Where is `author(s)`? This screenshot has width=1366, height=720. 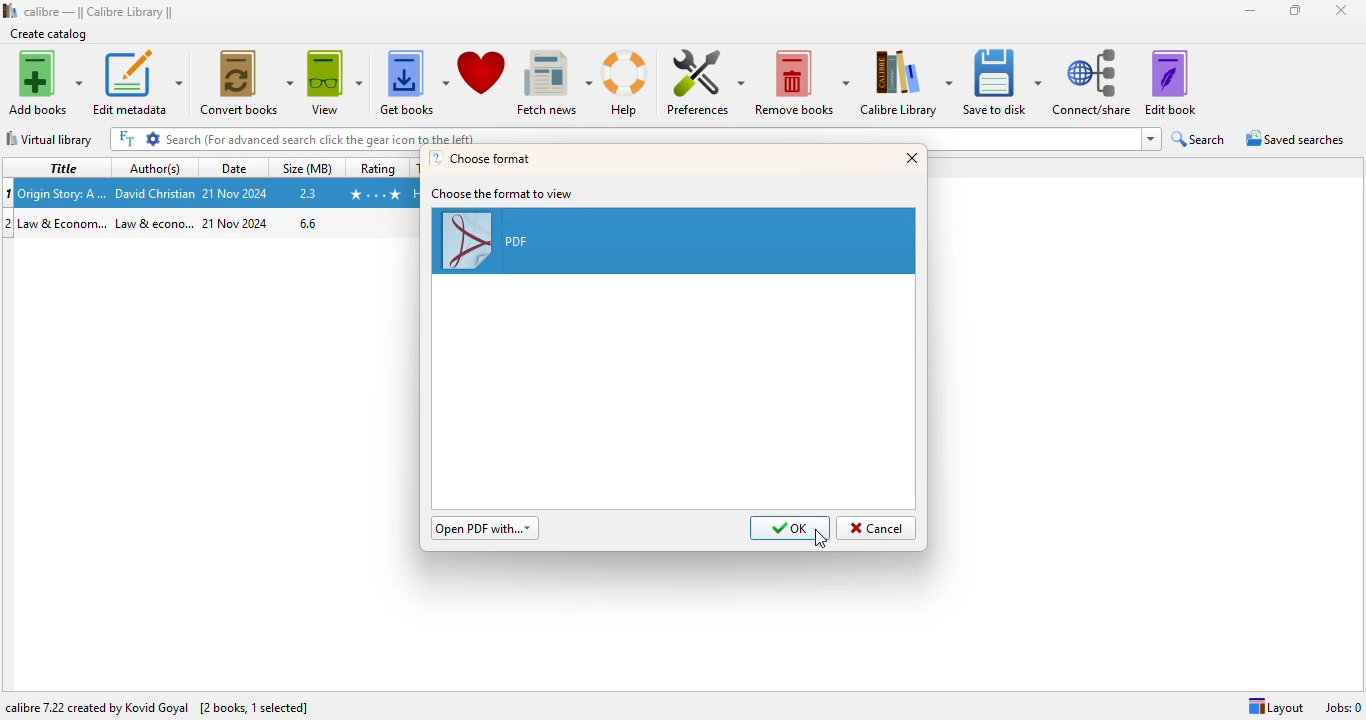 author(s) is located at coordinates (155, 168).